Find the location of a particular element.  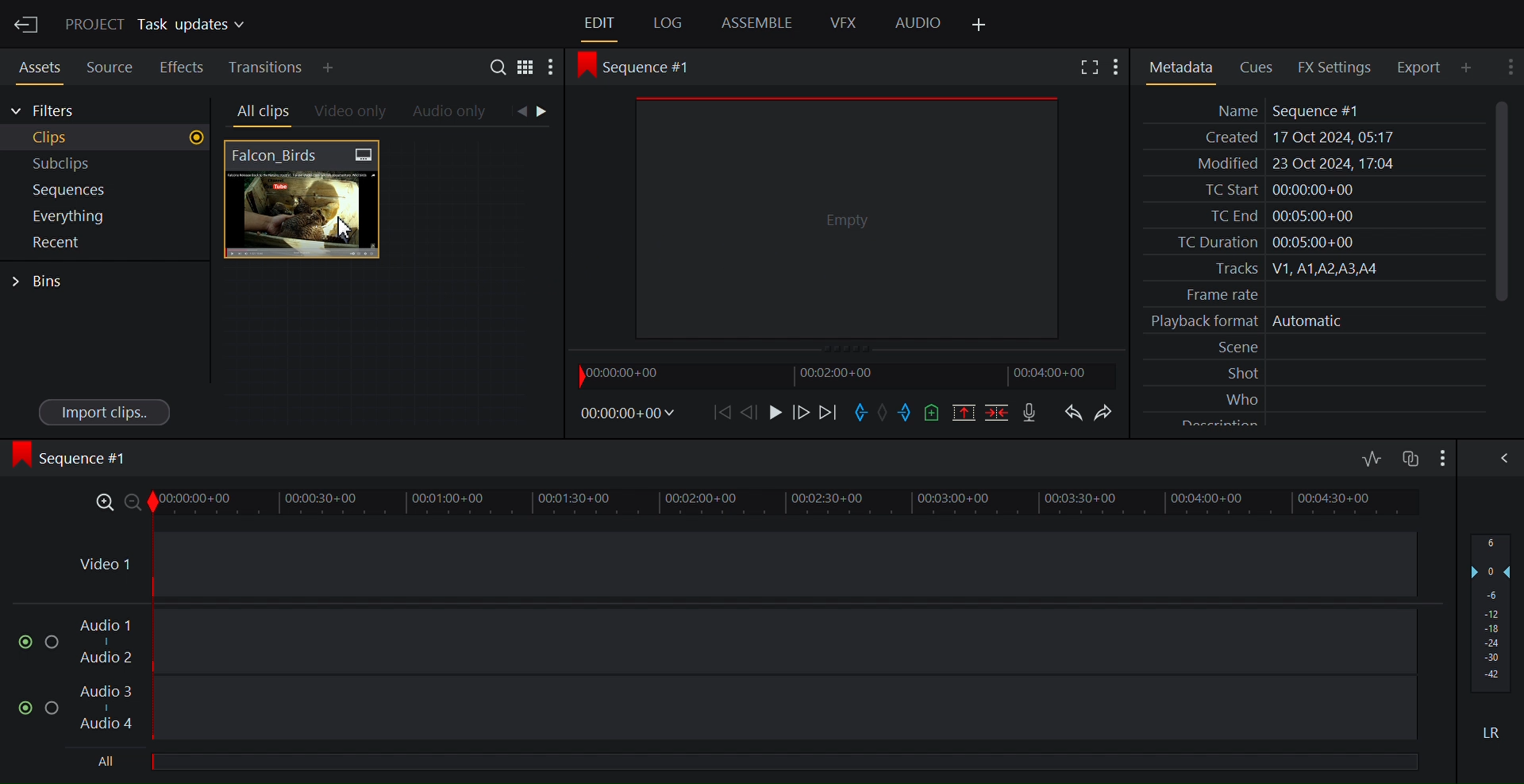

Audio track 3, Audio track 4 is located at coordinates (749, 709).